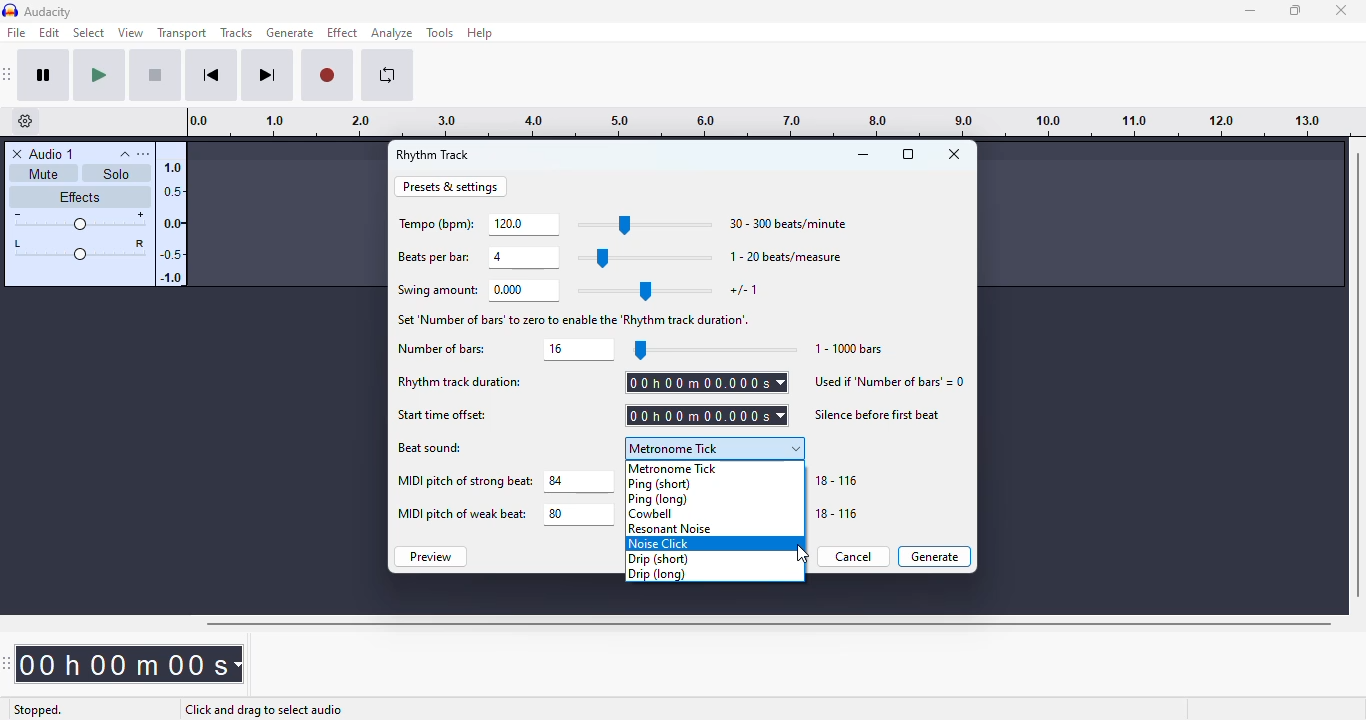 The image size is (1366, 720). I want to click on record, so click(328, 75).